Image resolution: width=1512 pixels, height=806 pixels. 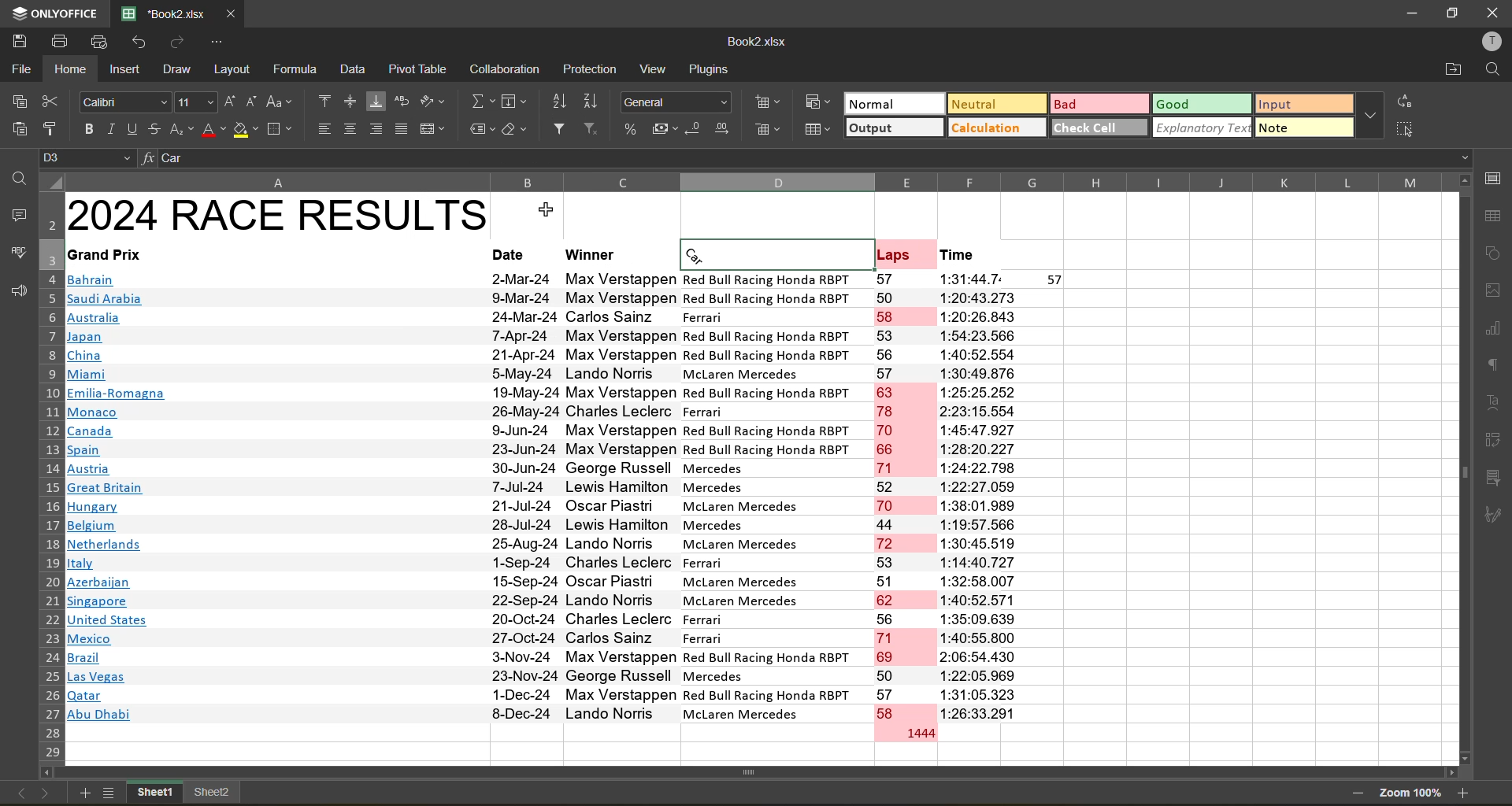 I want to click on paste, so click(x=19, y=126).